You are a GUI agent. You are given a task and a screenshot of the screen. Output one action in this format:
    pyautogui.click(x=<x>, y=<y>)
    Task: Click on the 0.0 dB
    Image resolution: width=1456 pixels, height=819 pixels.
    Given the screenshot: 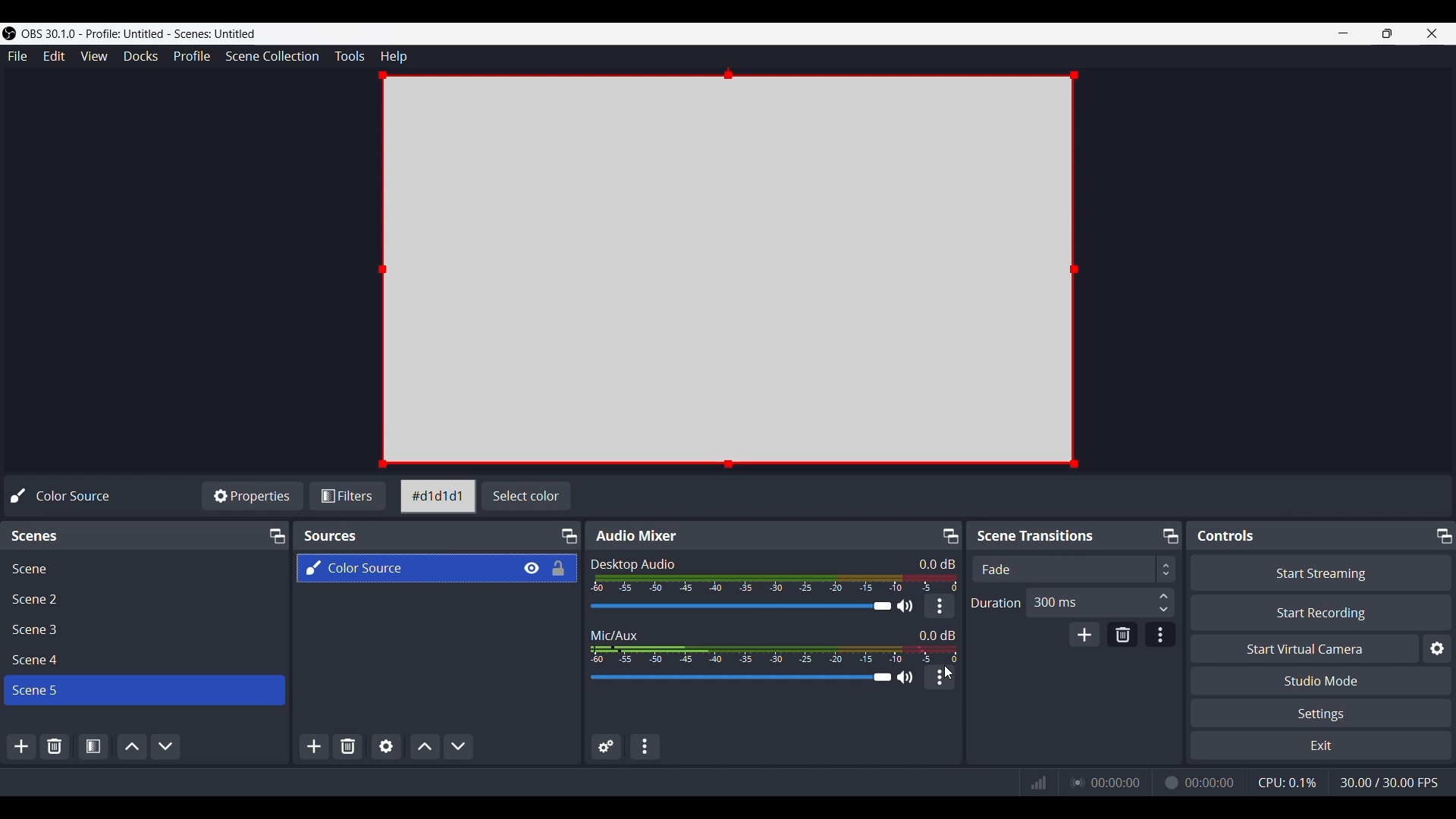 What is the action you would take?
    pyautogui.click(x=936, y=634)
    